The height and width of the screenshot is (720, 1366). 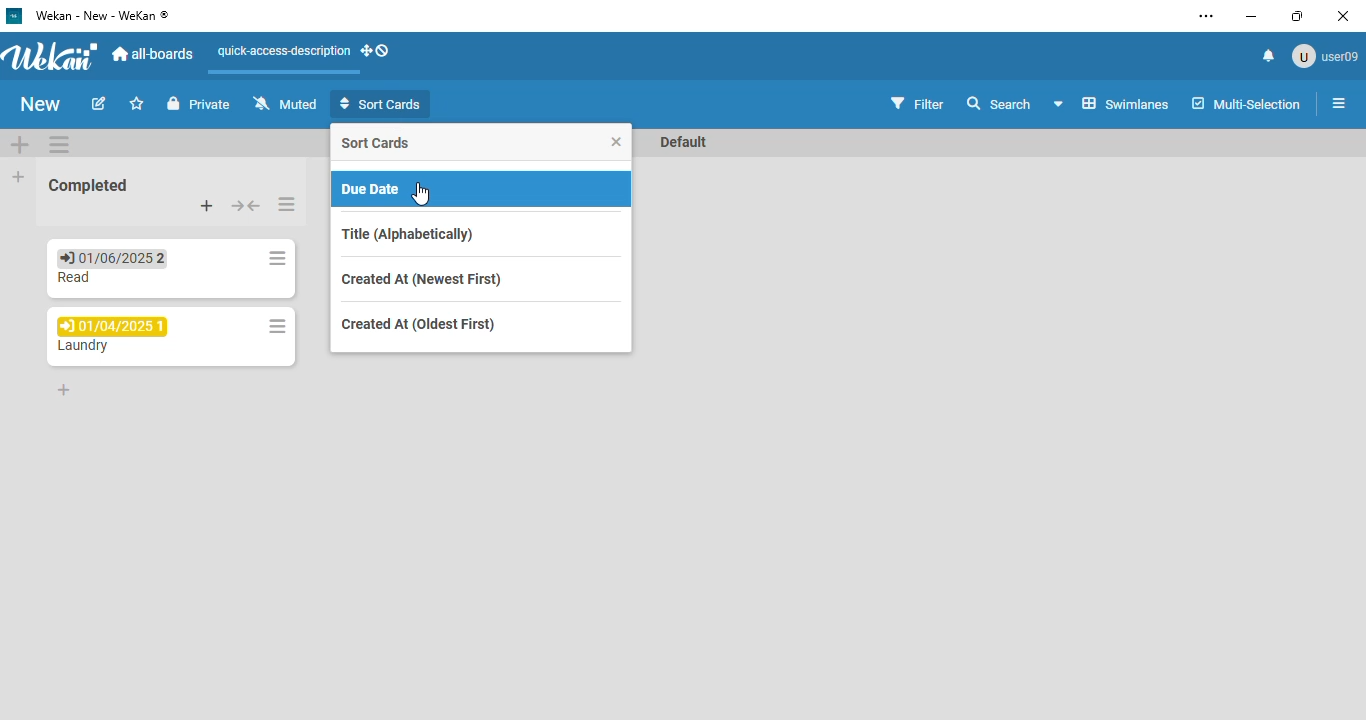 I want to click on Laundry, so click(x=82, y=346).